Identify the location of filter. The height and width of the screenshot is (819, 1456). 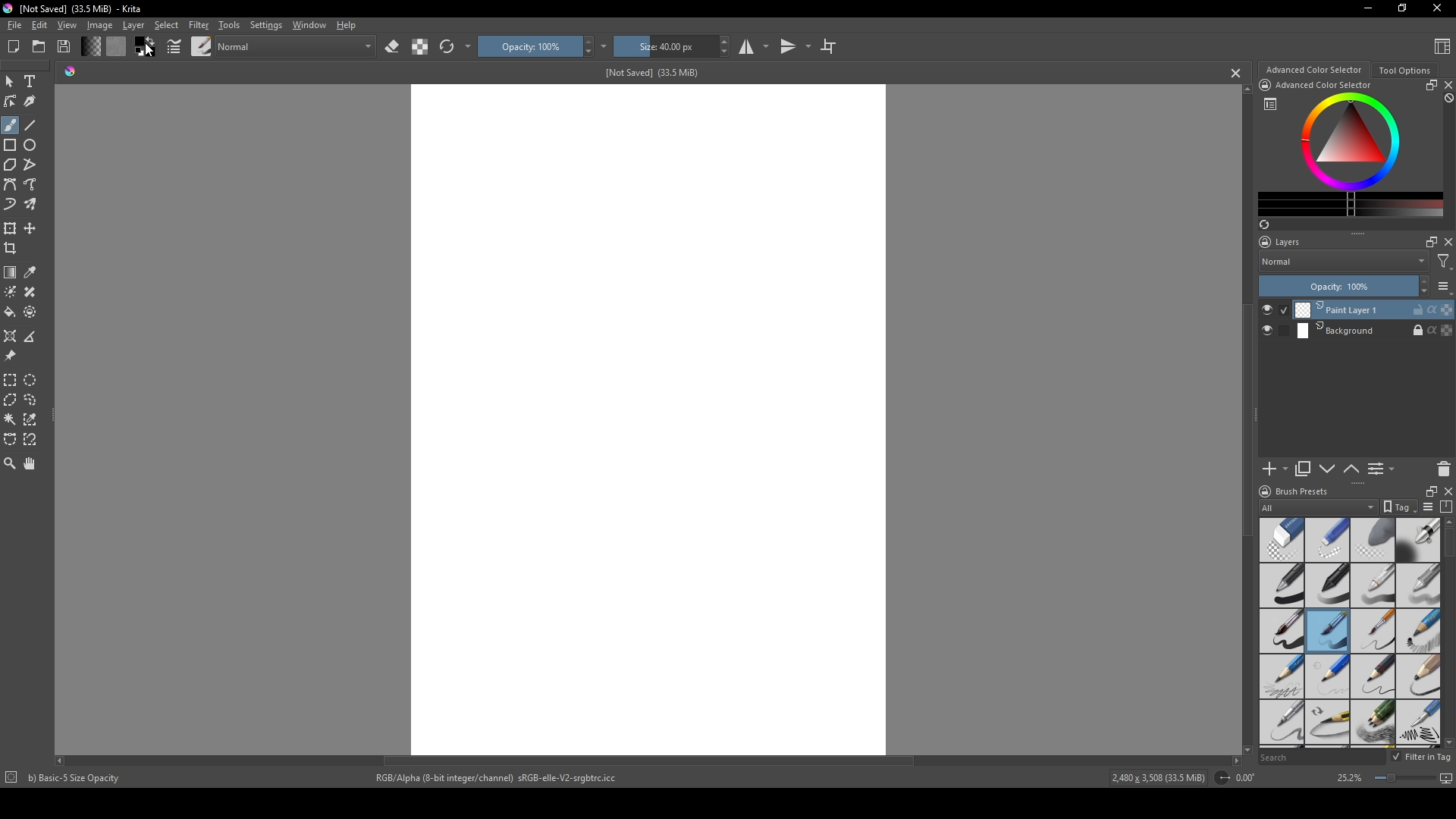
(1444, 262).